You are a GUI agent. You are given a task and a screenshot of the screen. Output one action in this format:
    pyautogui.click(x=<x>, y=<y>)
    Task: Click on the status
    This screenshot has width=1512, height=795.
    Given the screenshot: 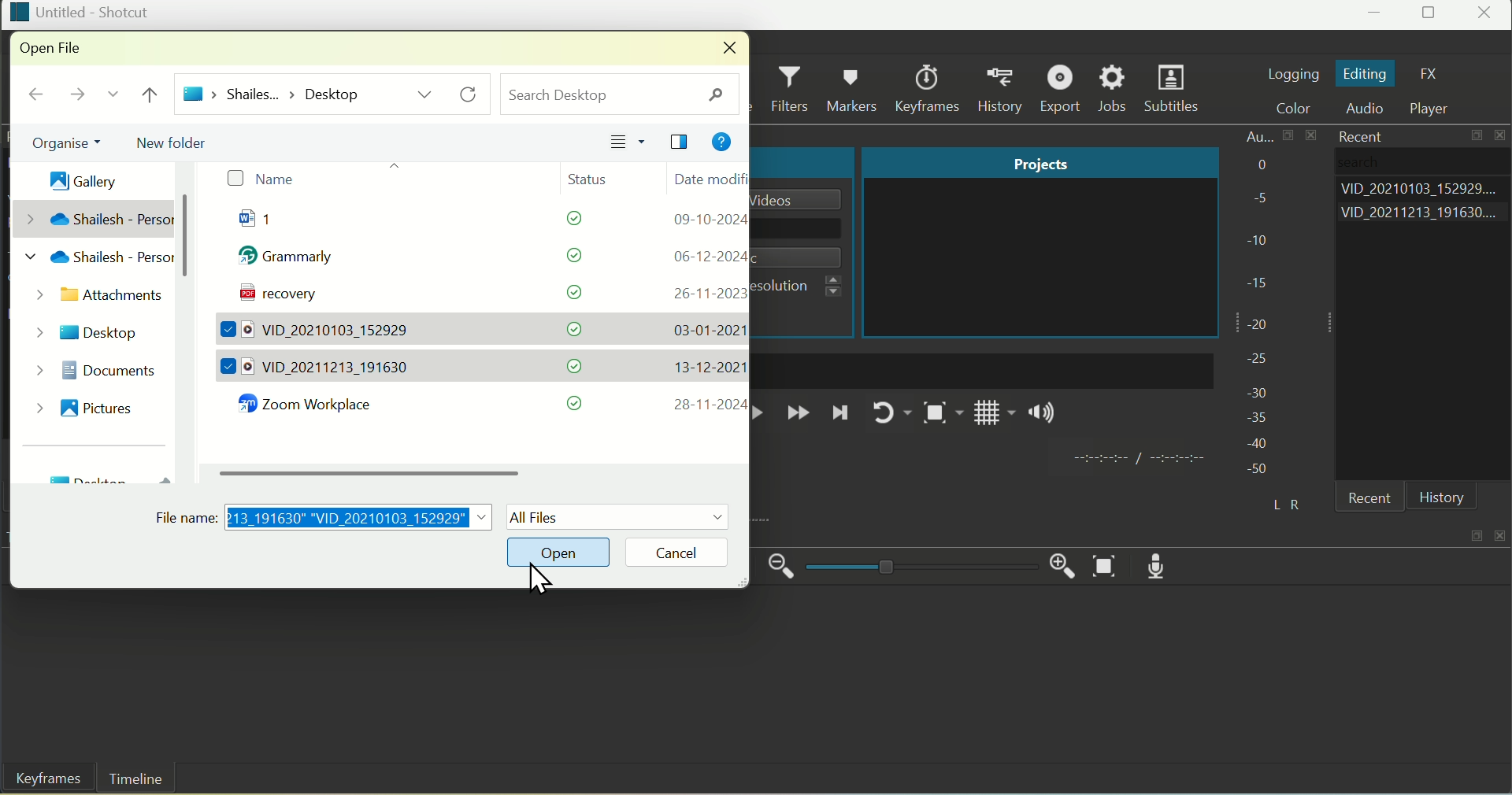 What is the action you would take?
    pyautogui.click(x=576, y=366)
    